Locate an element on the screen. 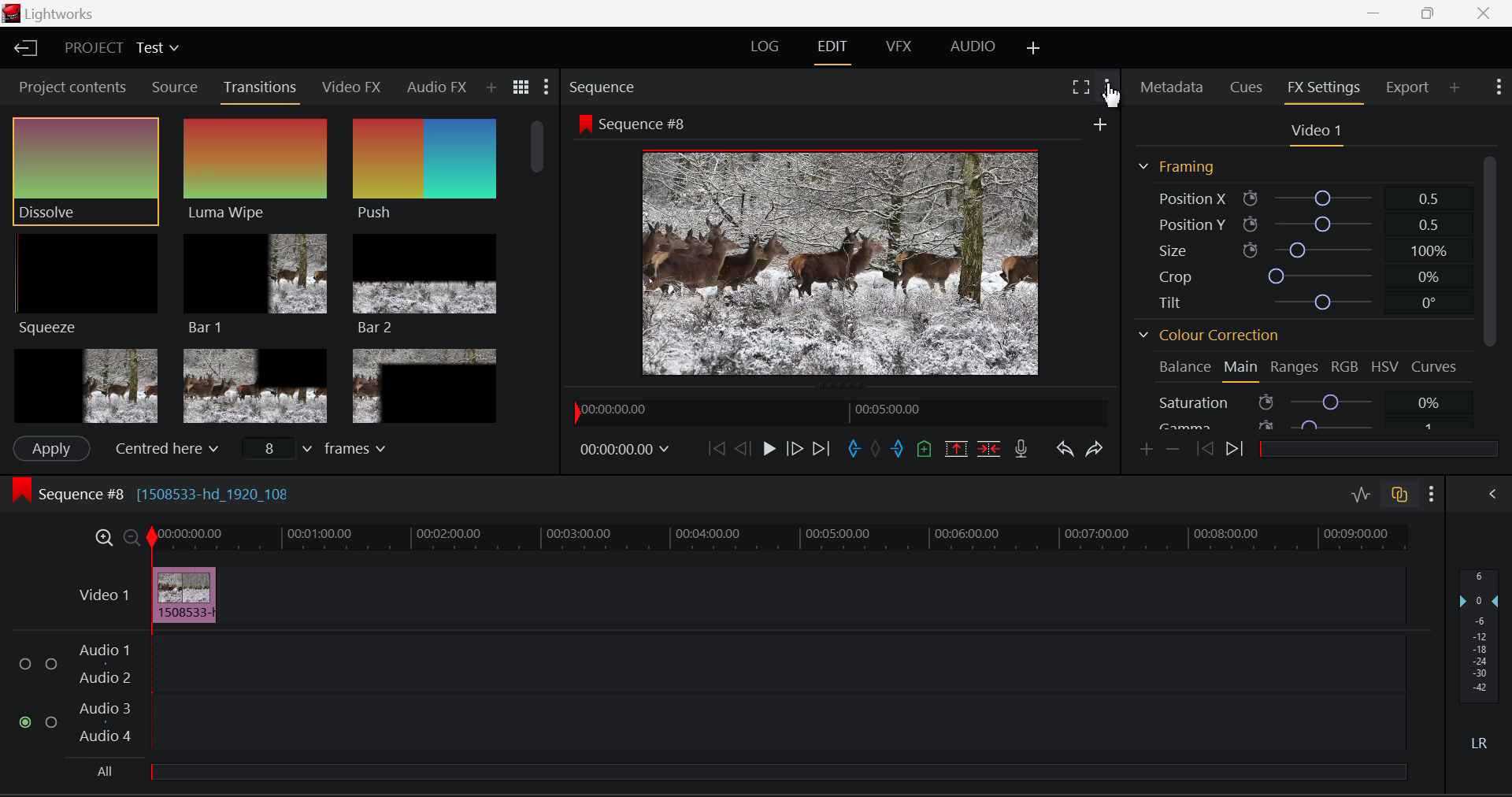  Lightworks is located at coordinates (54, 13).